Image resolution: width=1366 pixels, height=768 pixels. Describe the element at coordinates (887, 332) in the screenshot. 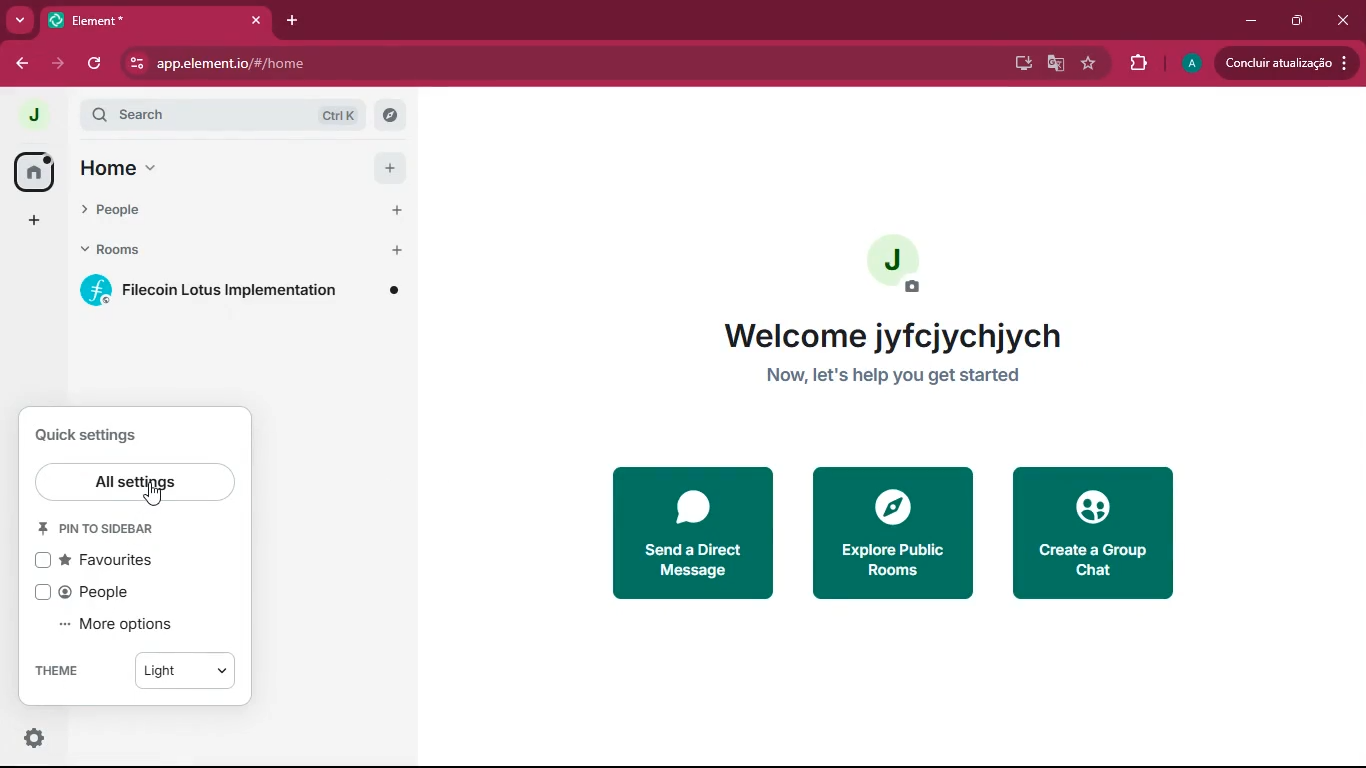

I see `Welcome jyfcjychjych` at that location.